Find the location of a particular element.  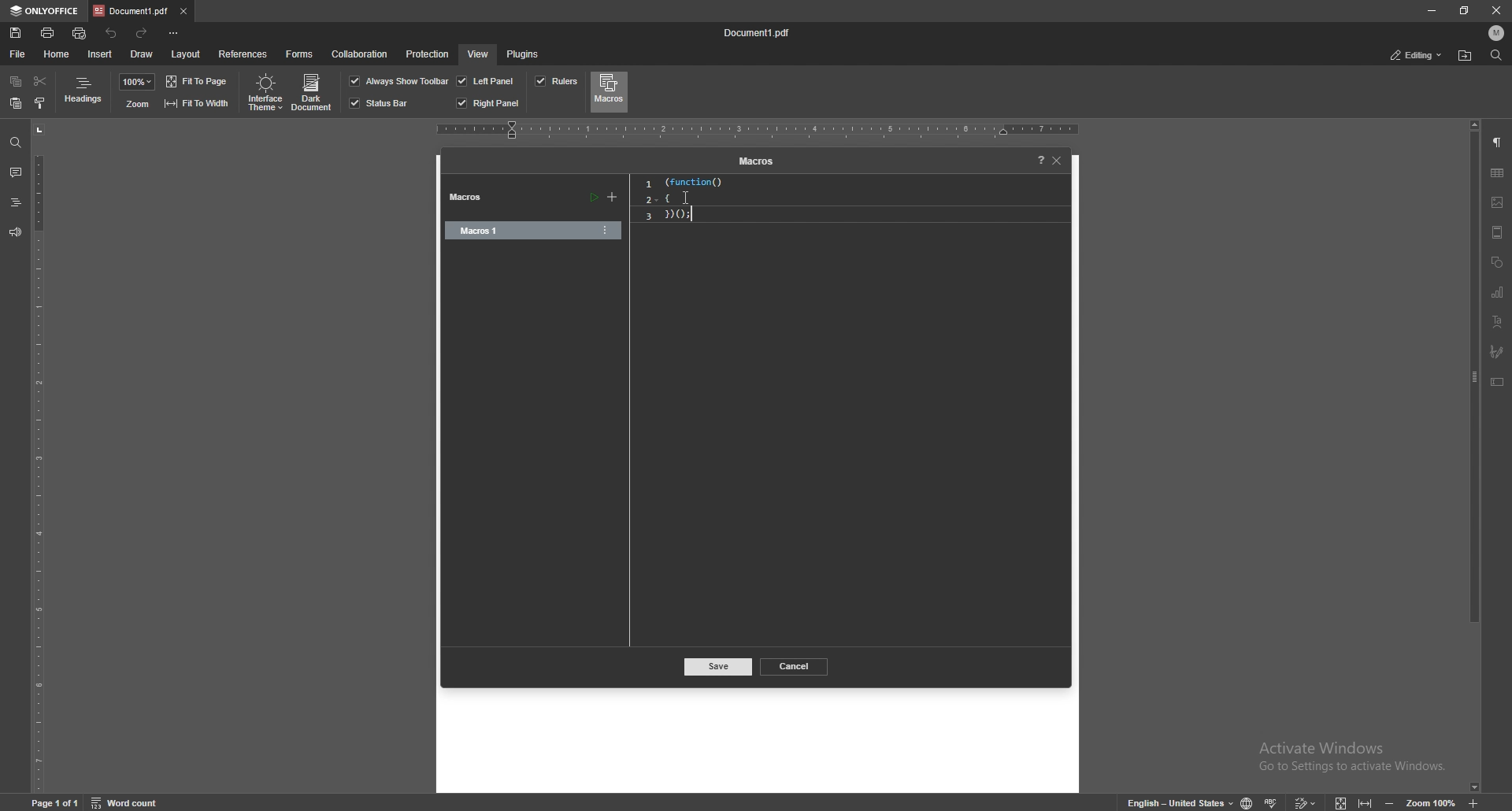

spell check is located at coordinates (1274, 800).